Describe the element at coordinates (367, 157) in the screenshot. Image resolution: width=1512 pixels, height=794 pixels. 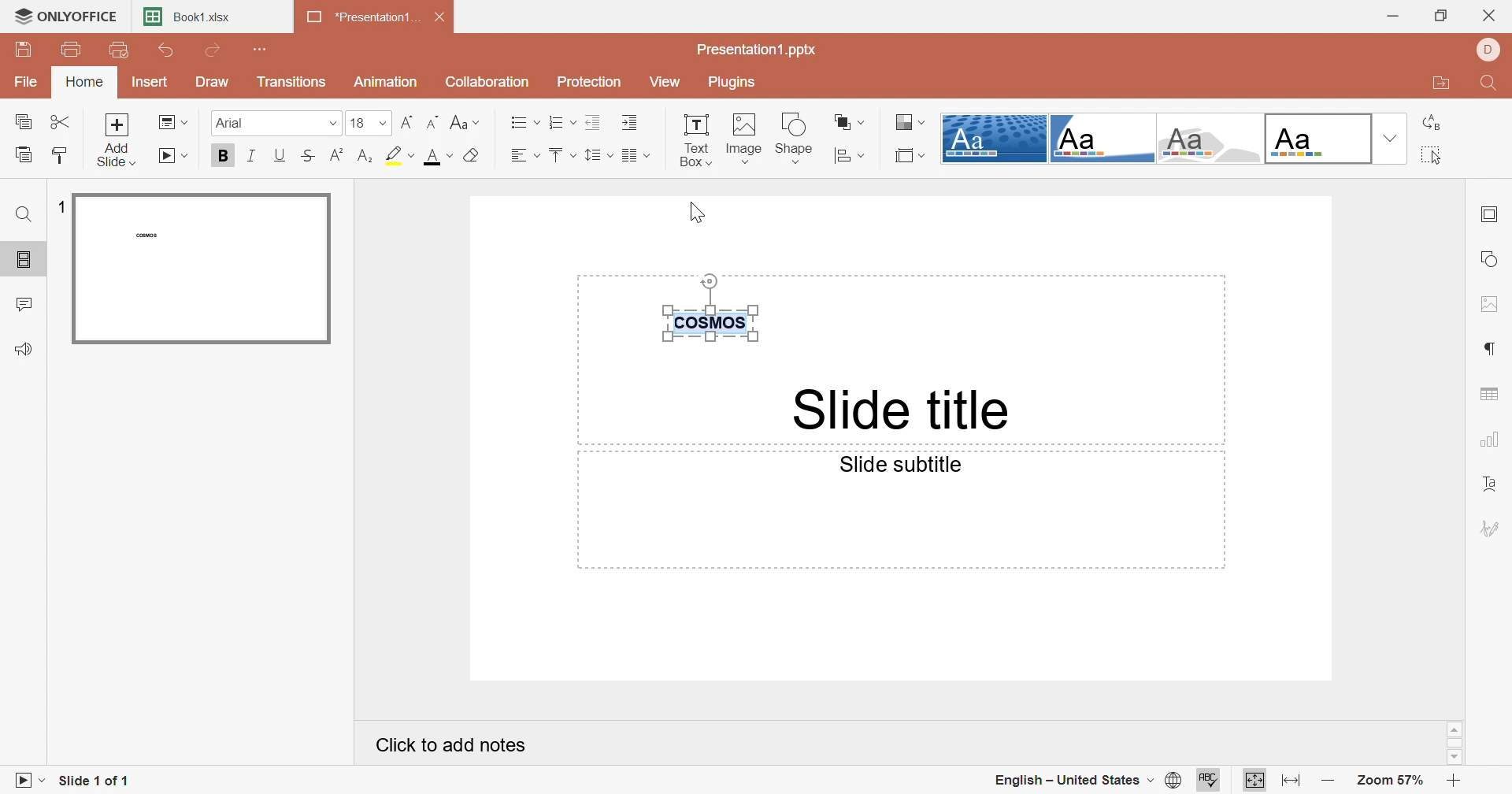
I see `Subscript` at that location.